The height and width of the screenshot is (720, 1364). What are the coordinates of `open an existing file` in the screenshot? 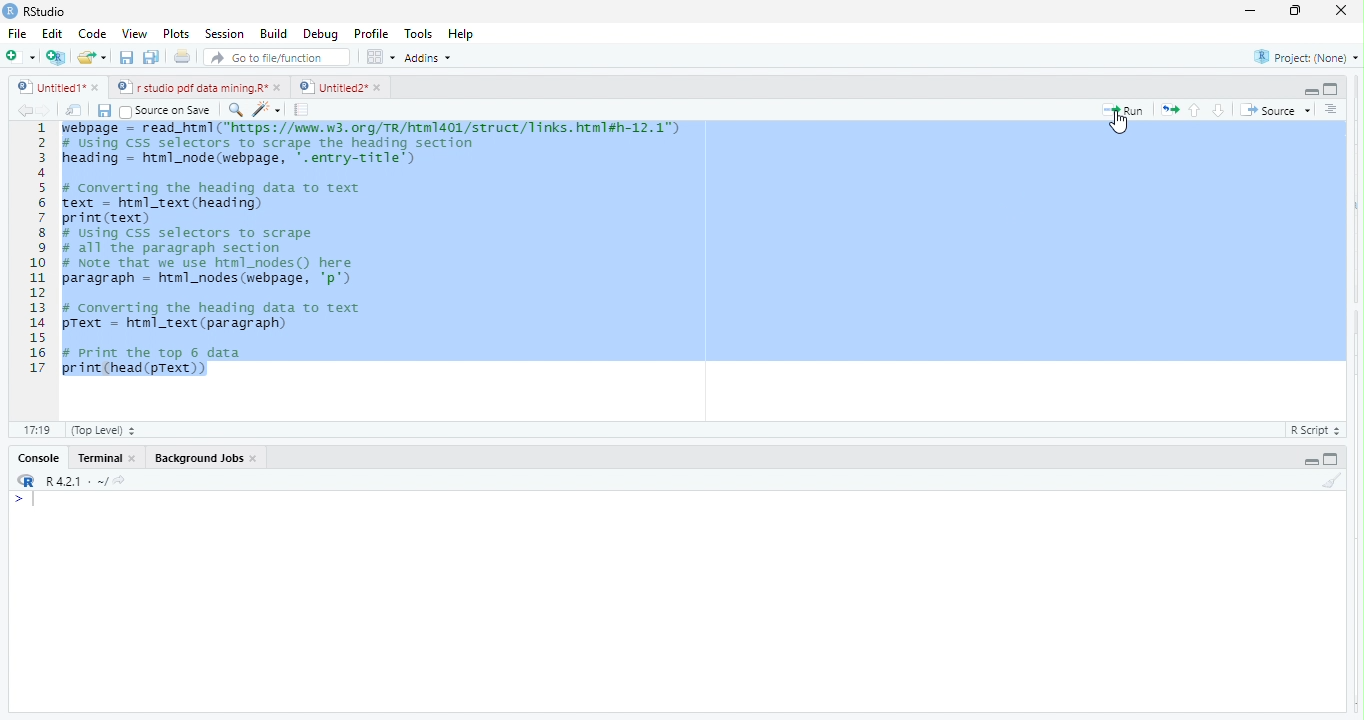 It's located at (93, 56).